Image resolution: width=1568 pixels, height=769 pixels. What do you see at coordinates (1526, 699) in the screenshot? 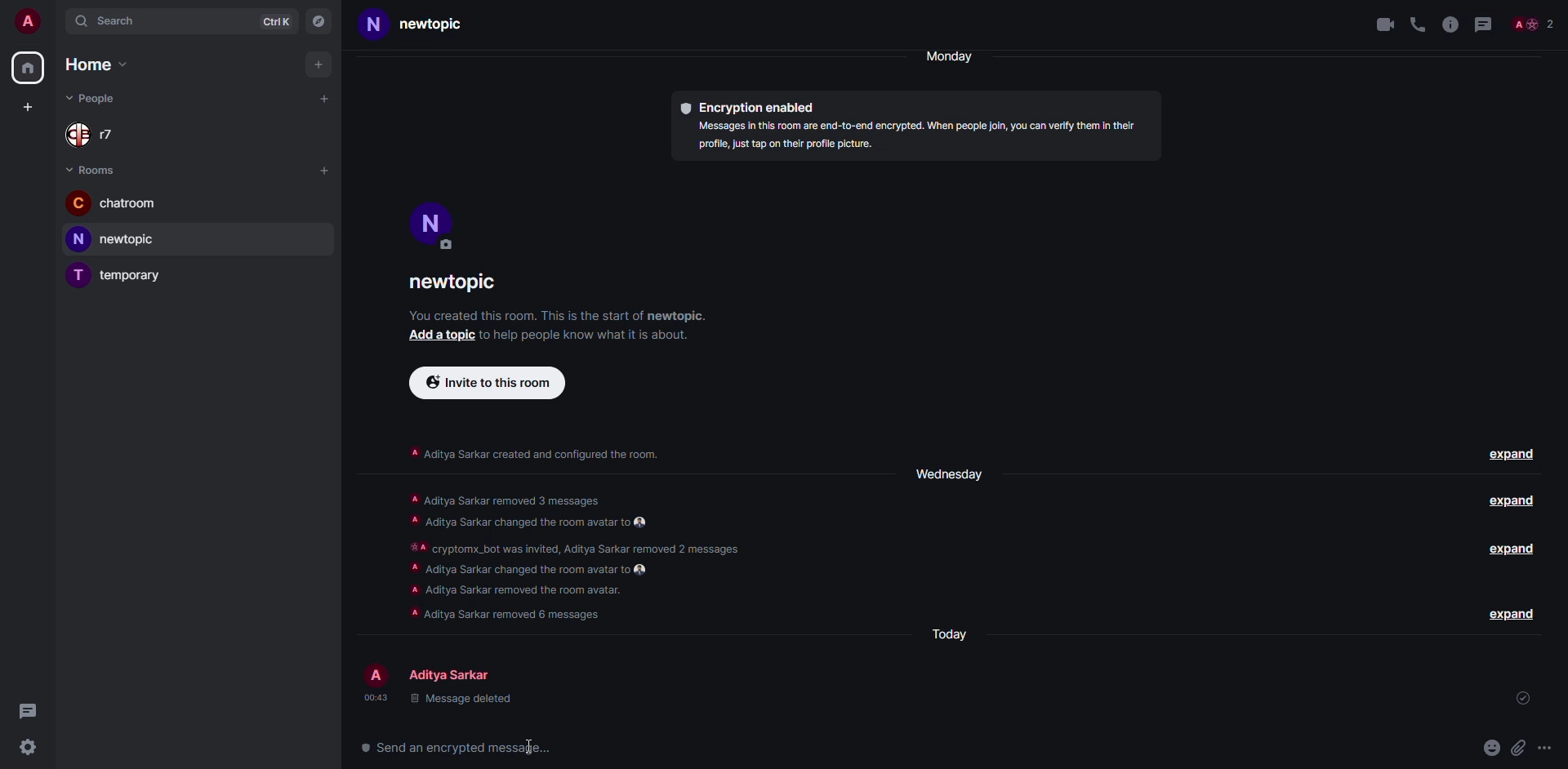
I see `sent` at bounding box center [1526, 699].